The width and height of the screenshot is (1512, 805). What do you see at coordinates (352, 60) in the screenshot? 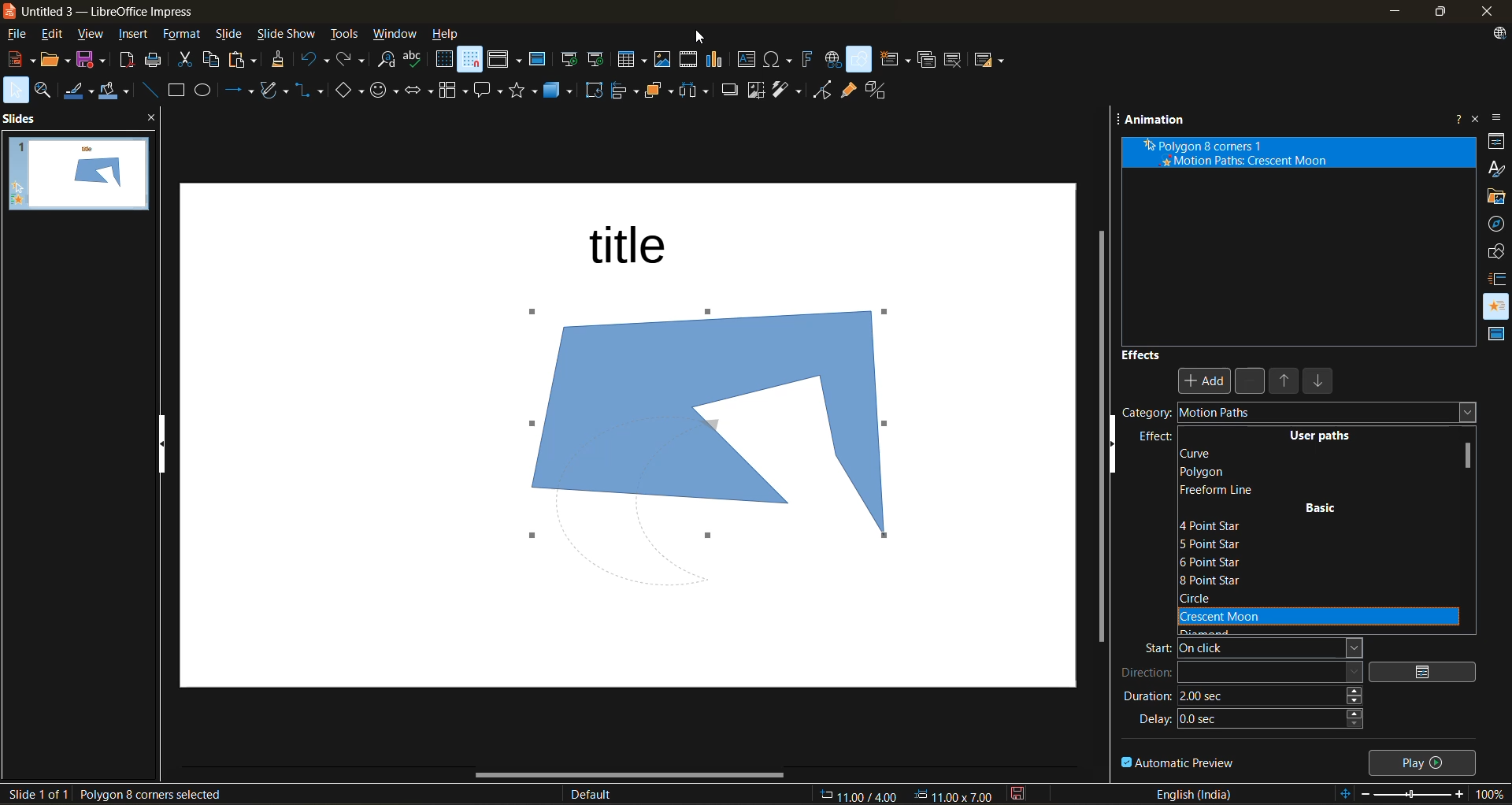
I see `redo` at bounding box center [352, 60].